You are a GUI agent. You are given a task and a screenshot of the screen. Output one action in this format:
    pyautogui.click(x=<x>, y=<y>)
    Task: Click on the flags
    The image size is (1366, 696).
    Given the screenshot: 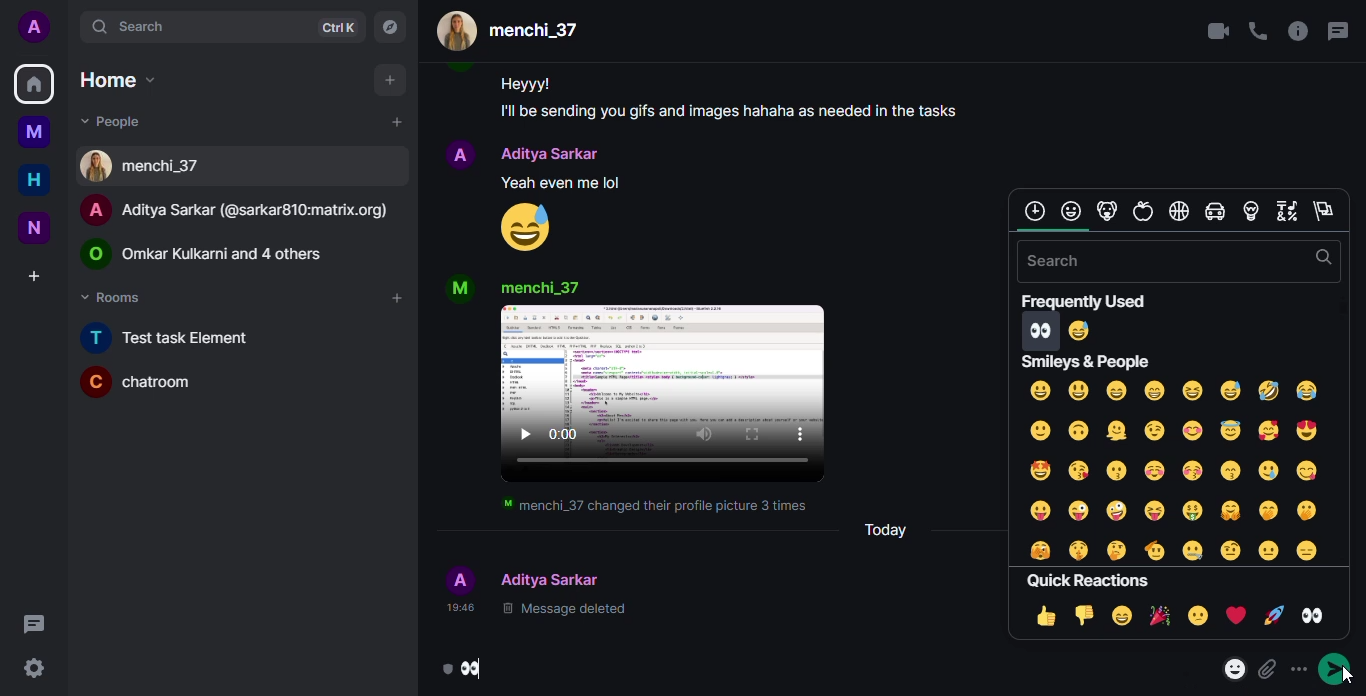 What is the action you would take?
    pyautogui.click(x=1323, y=212)
    